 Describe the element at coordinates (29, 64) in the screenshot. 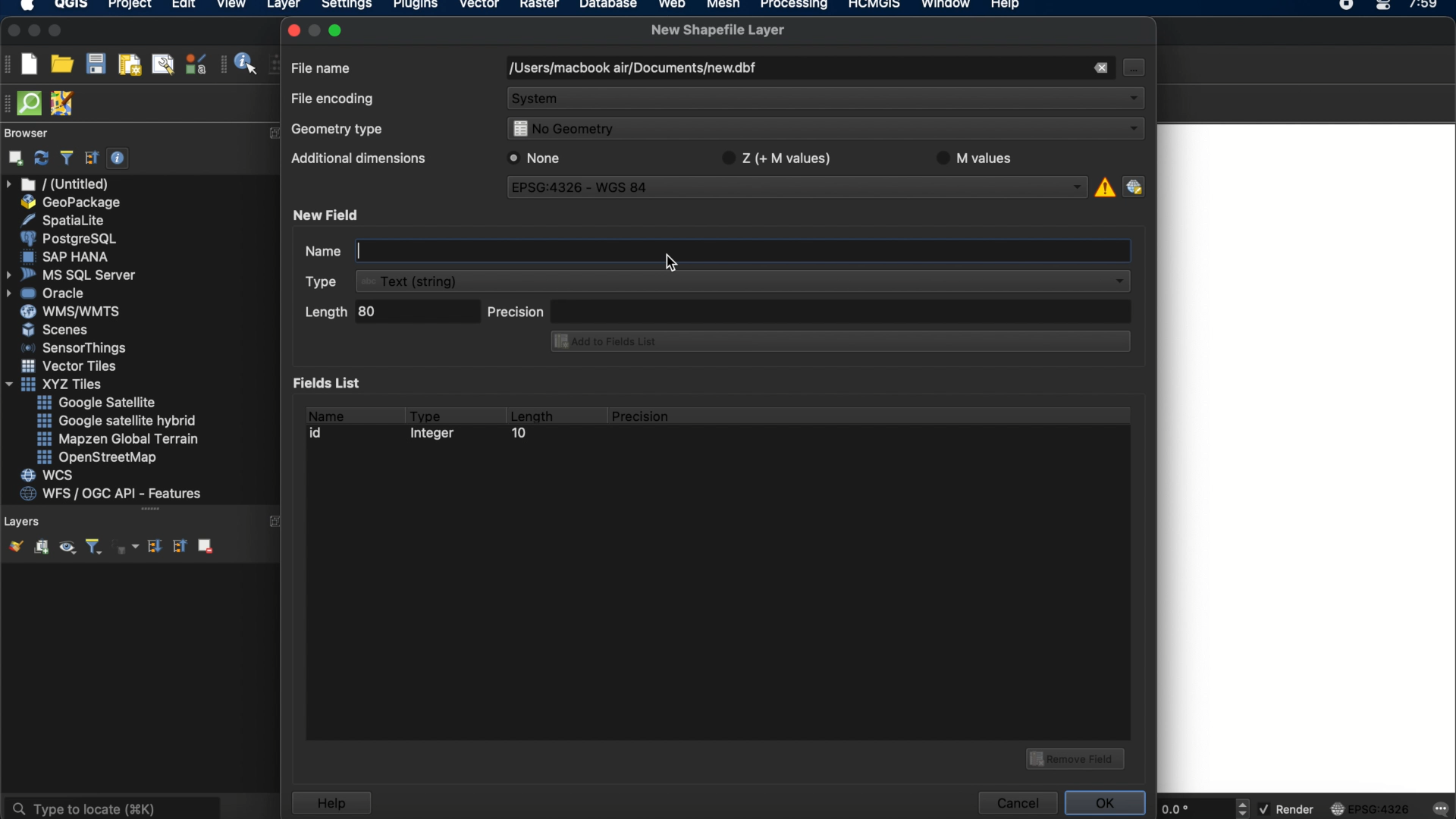

I see `new project` at that location.